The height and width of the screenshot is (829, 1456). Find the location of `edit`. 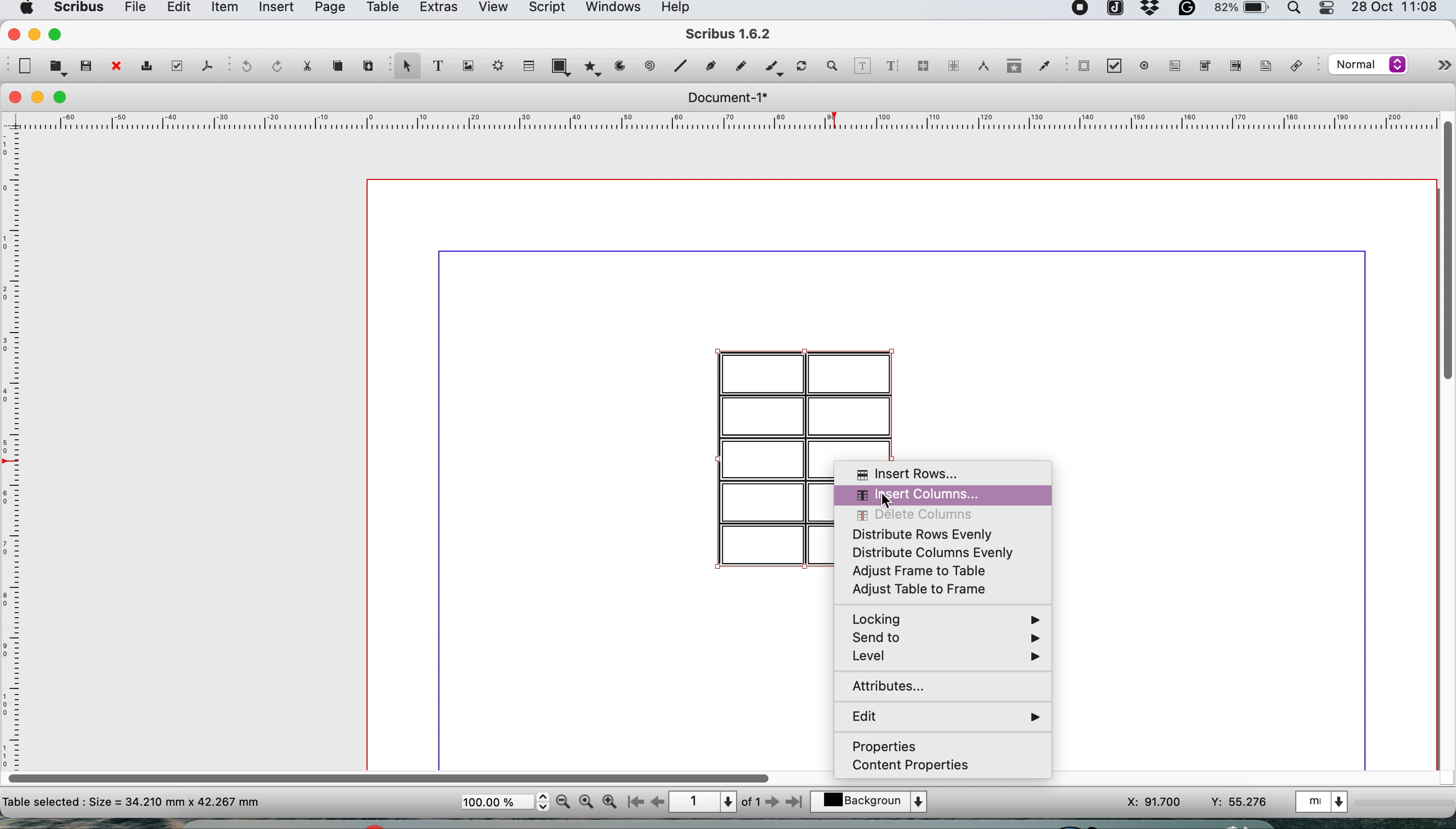

edit is located at coordinates (944, 716).